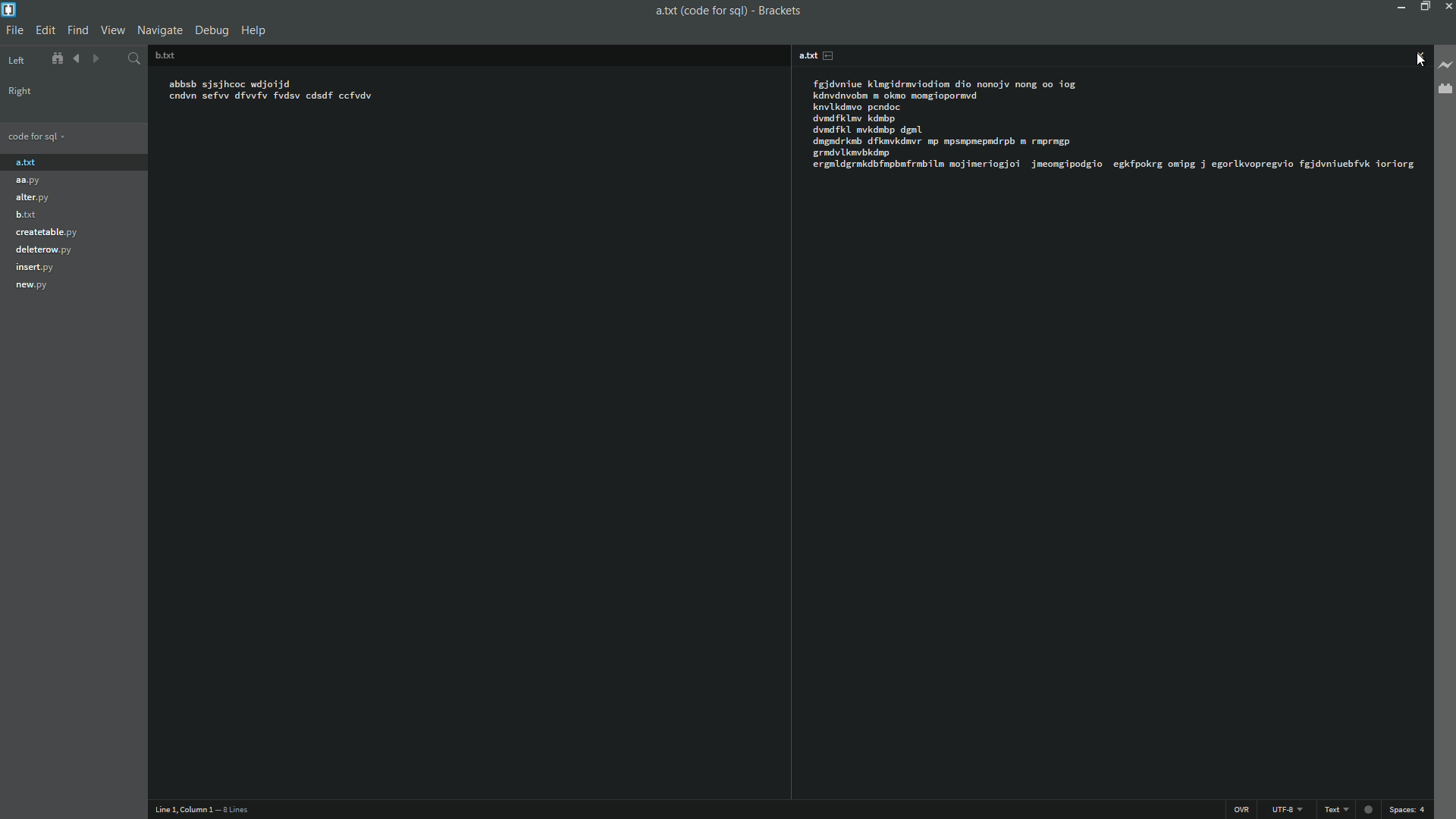 Image resolution: width=1456 pixels, height=819 pixels. I want to click on a.txt (code for sql)- brackets, so click(727, 11).